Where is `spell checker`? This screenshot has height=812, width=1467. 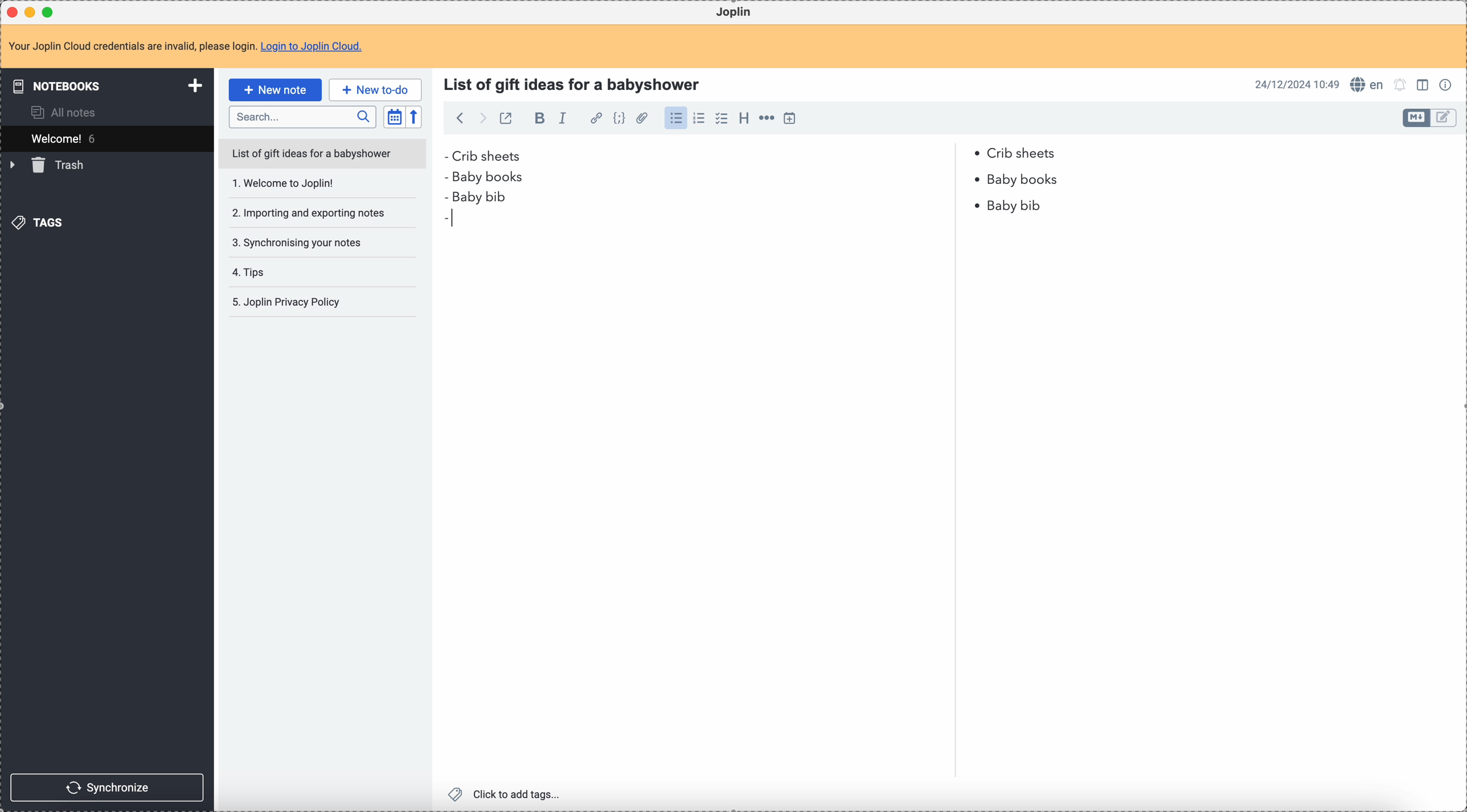
spell checker is located at coordinates (1368, 85).